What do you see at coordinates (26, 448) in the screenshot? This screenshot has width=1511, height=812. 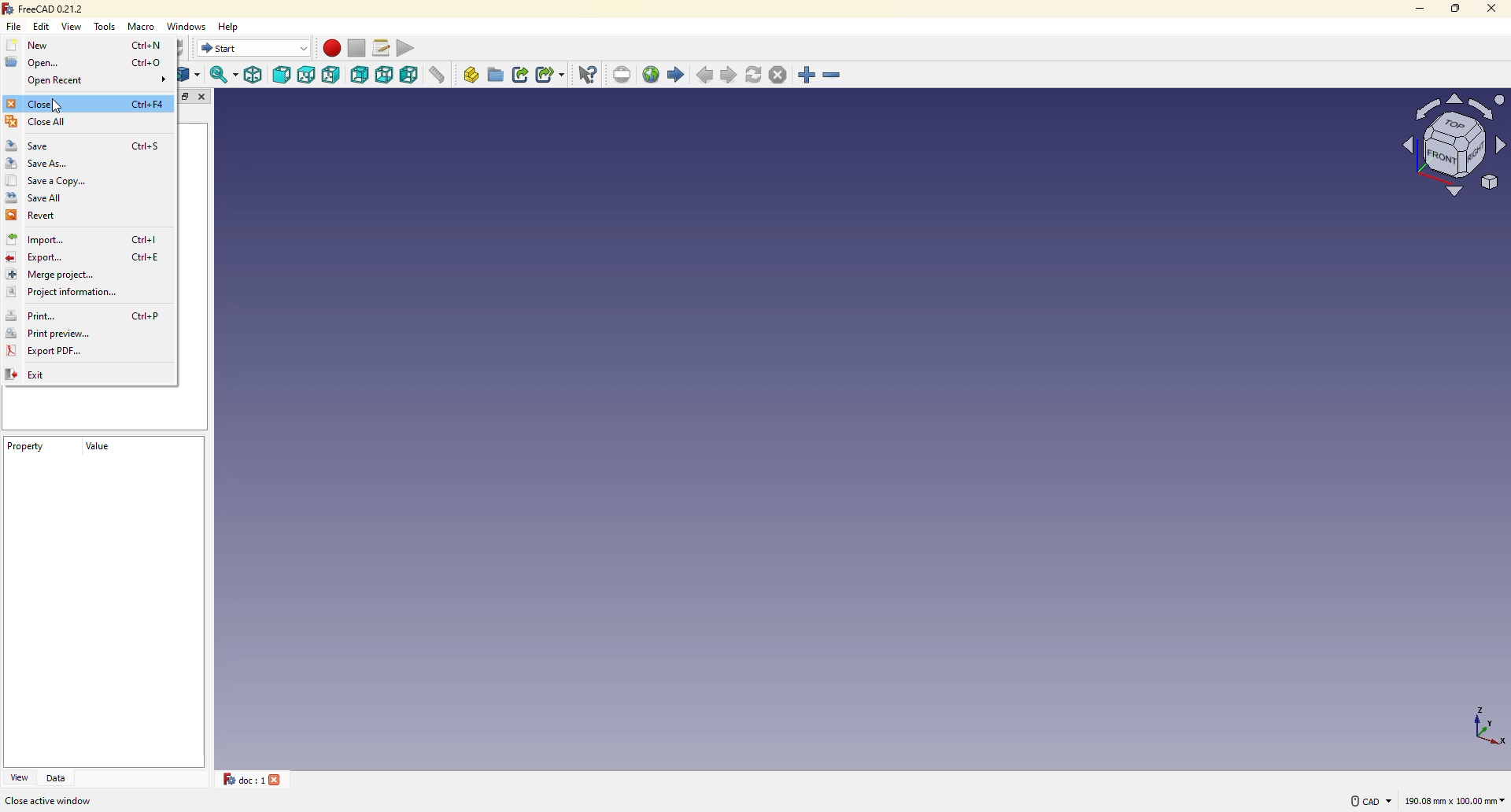 I see `property` at bounding box center [26, 448].